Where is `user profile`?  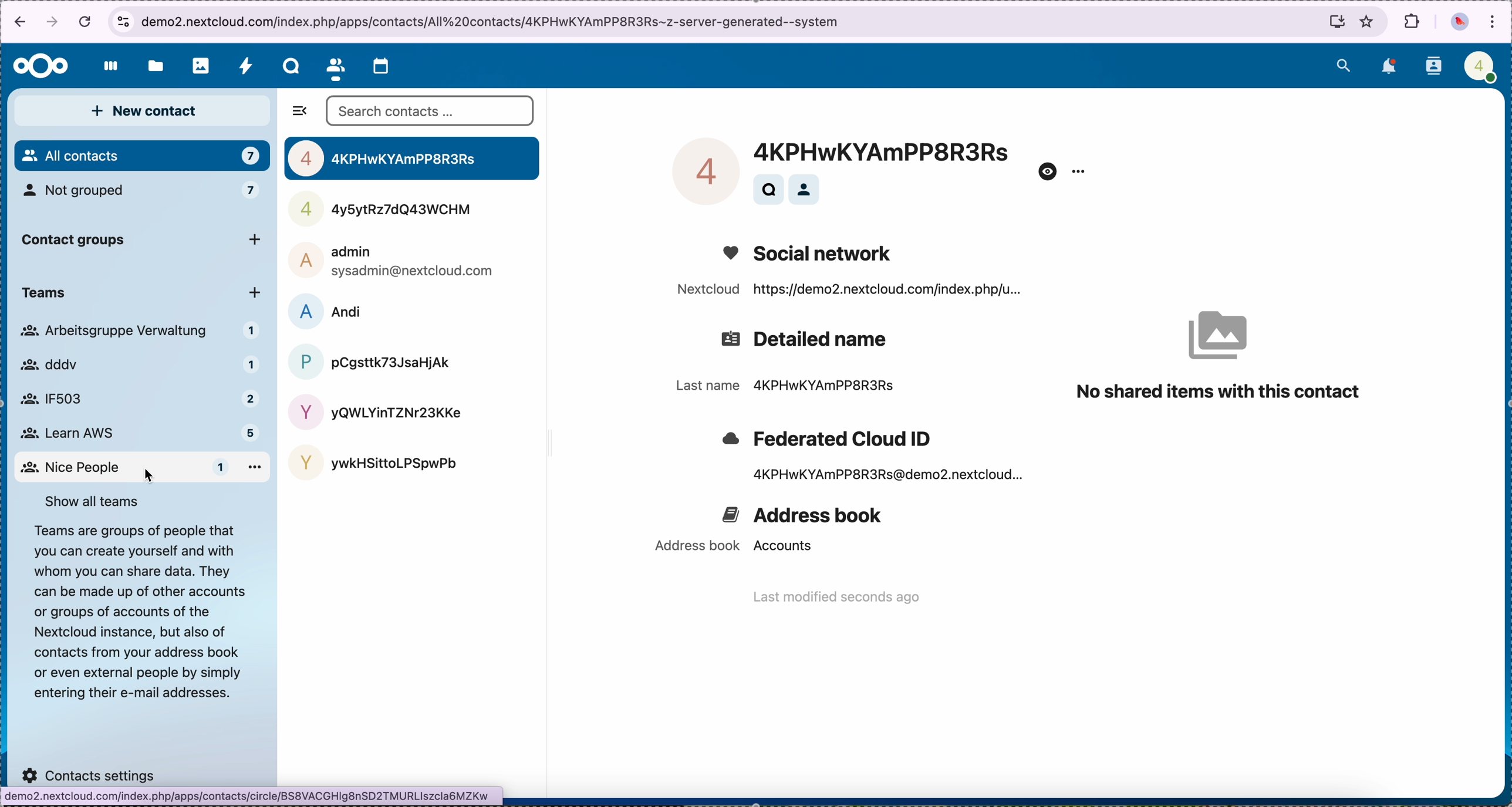 user profile is located at coordinates (1478, 65).